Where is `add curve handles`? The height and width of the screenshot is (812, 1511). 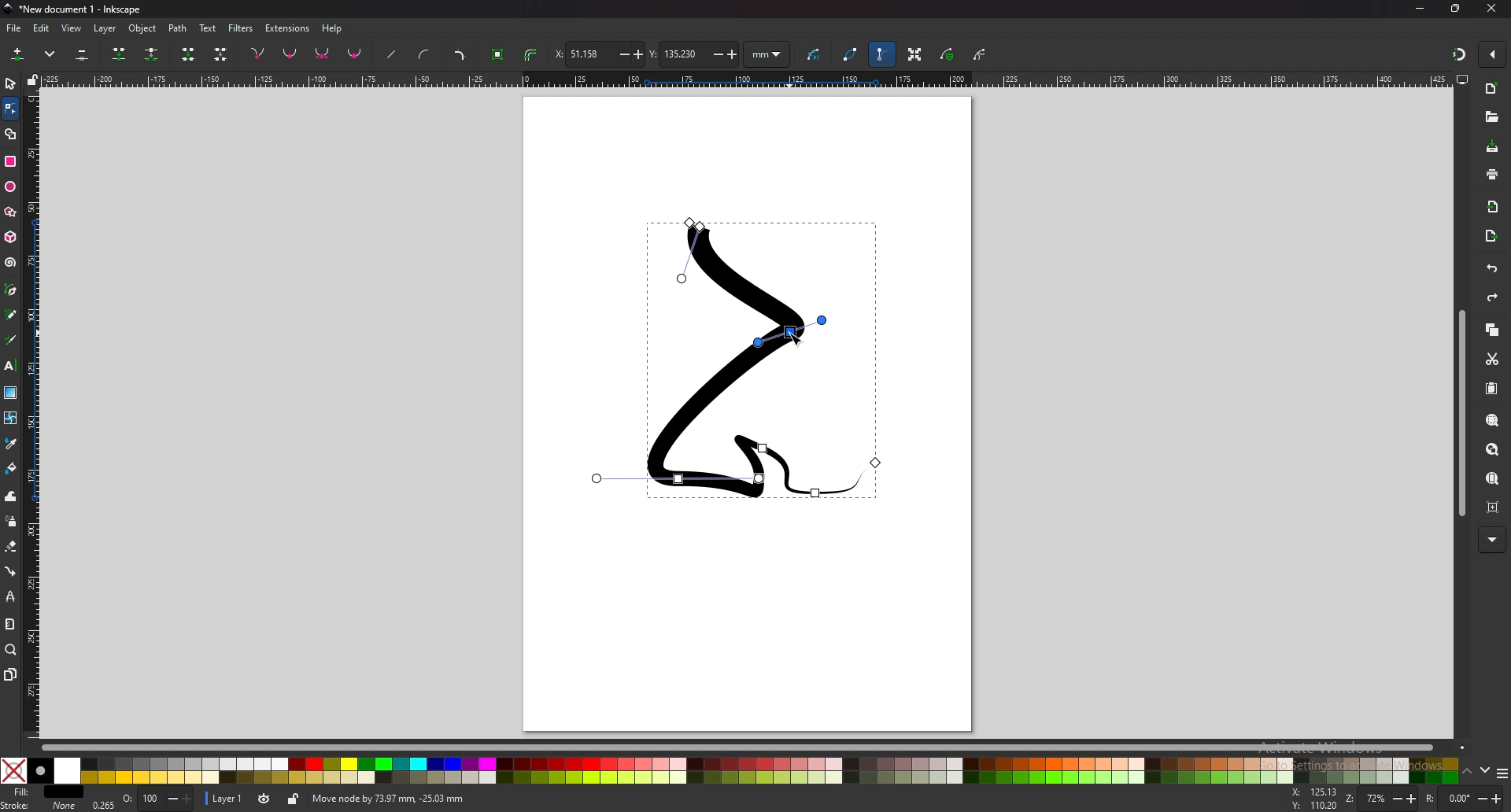
add curve handles is located at coordinates (423, 54).